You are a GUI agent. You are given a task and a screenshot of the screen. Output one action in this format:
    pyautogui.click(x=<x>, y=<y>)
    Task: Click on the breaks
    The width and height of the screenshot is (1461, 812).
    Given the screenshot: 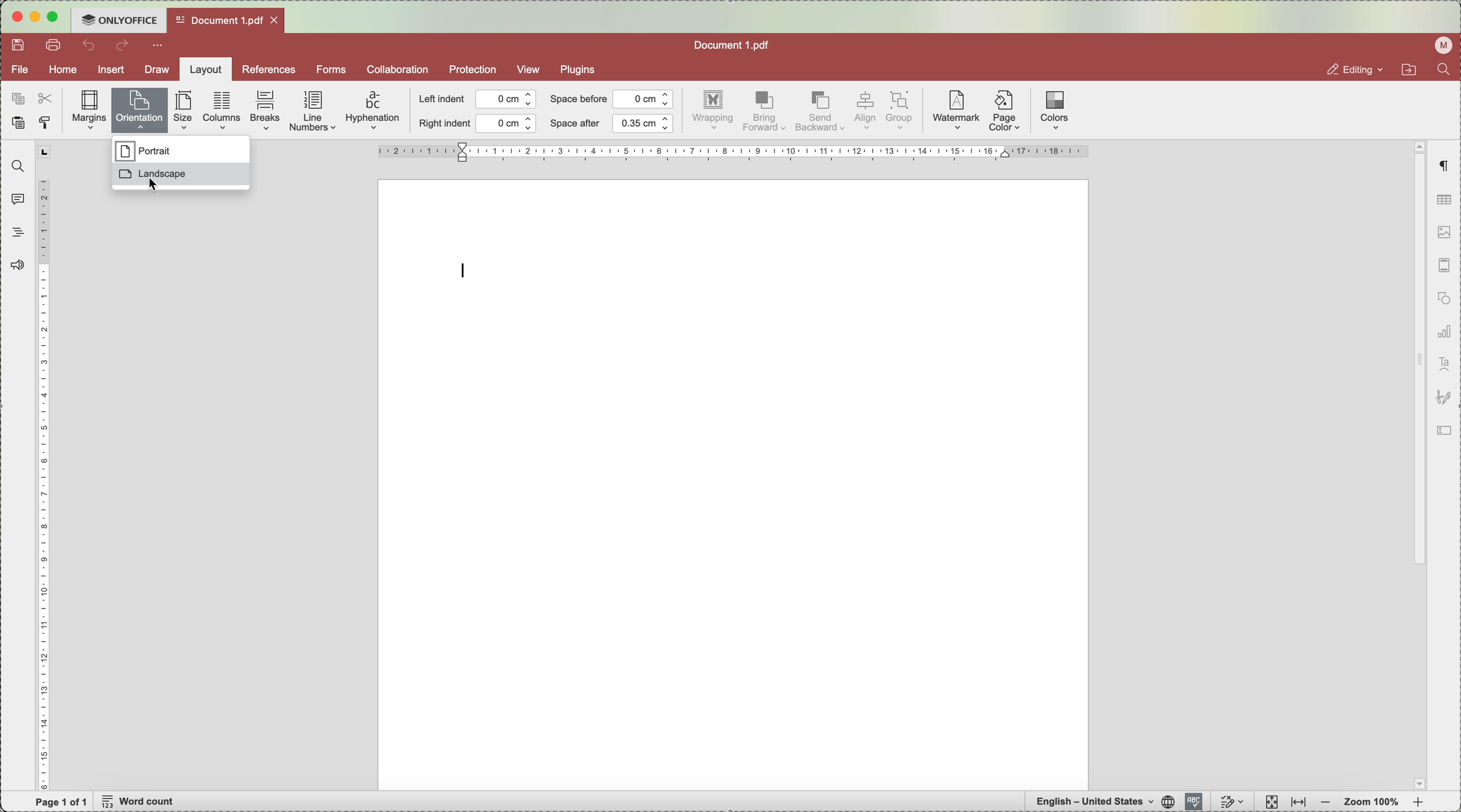 What is the action you would take?
    pyautogui.click(x=266, y=111)
    